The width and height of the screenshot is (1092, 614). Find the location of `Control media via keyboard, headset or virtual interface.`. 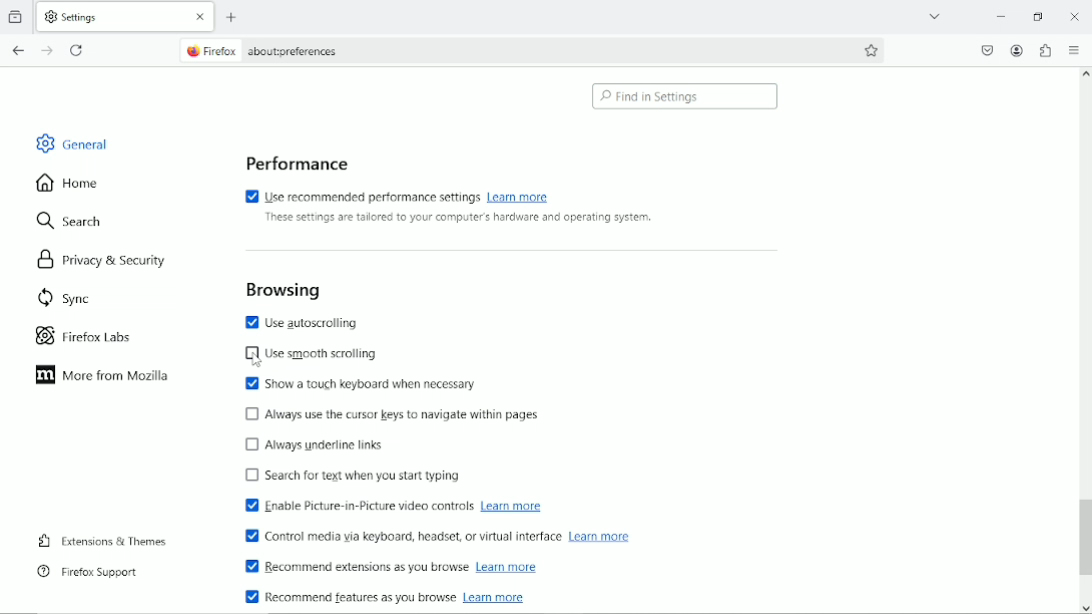

Control media via keyboard, headset or virtual interface. is located at coordinates (396, 536).